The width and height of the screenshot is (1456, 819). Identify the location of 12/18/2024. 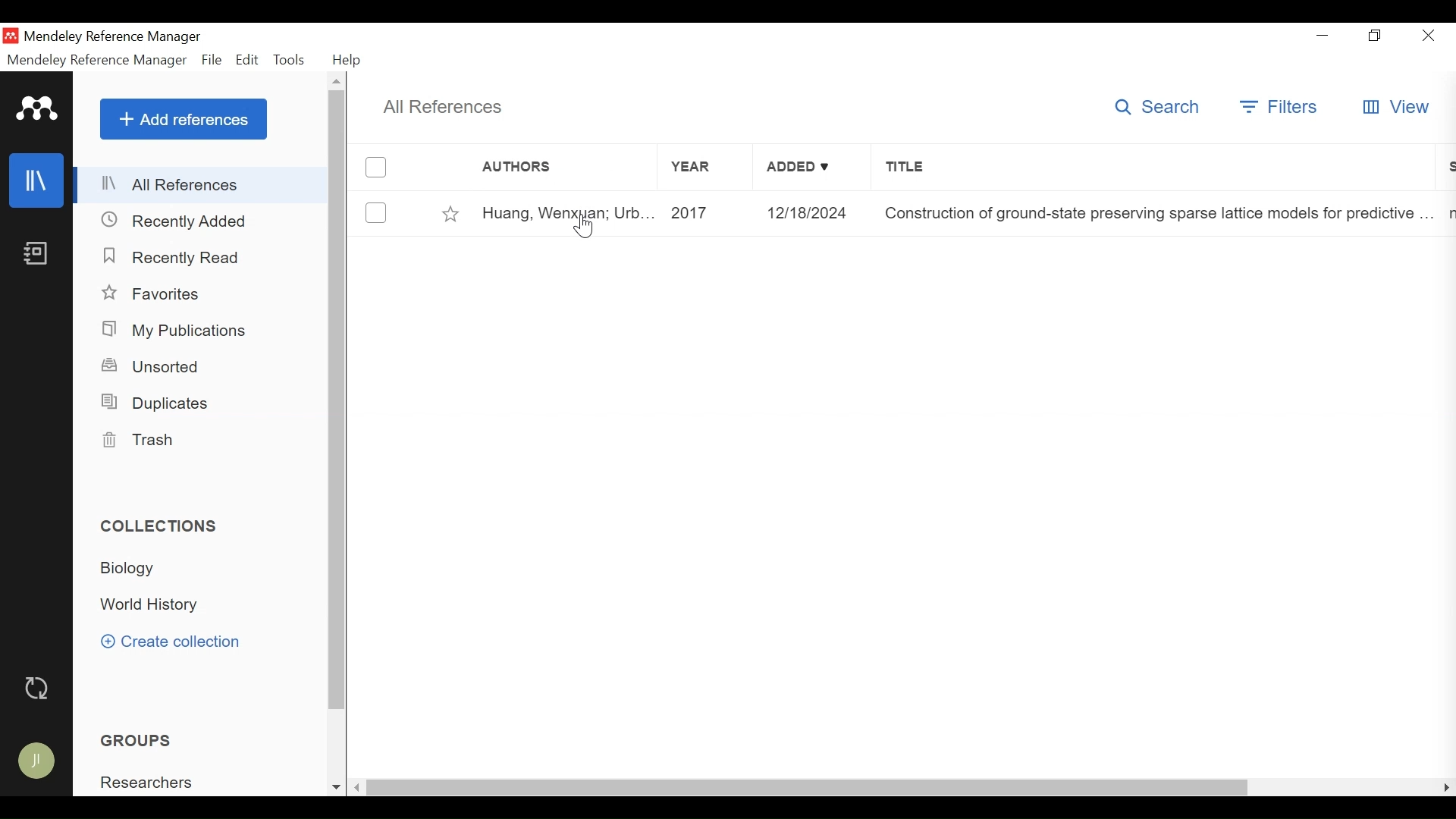
(811, 212).